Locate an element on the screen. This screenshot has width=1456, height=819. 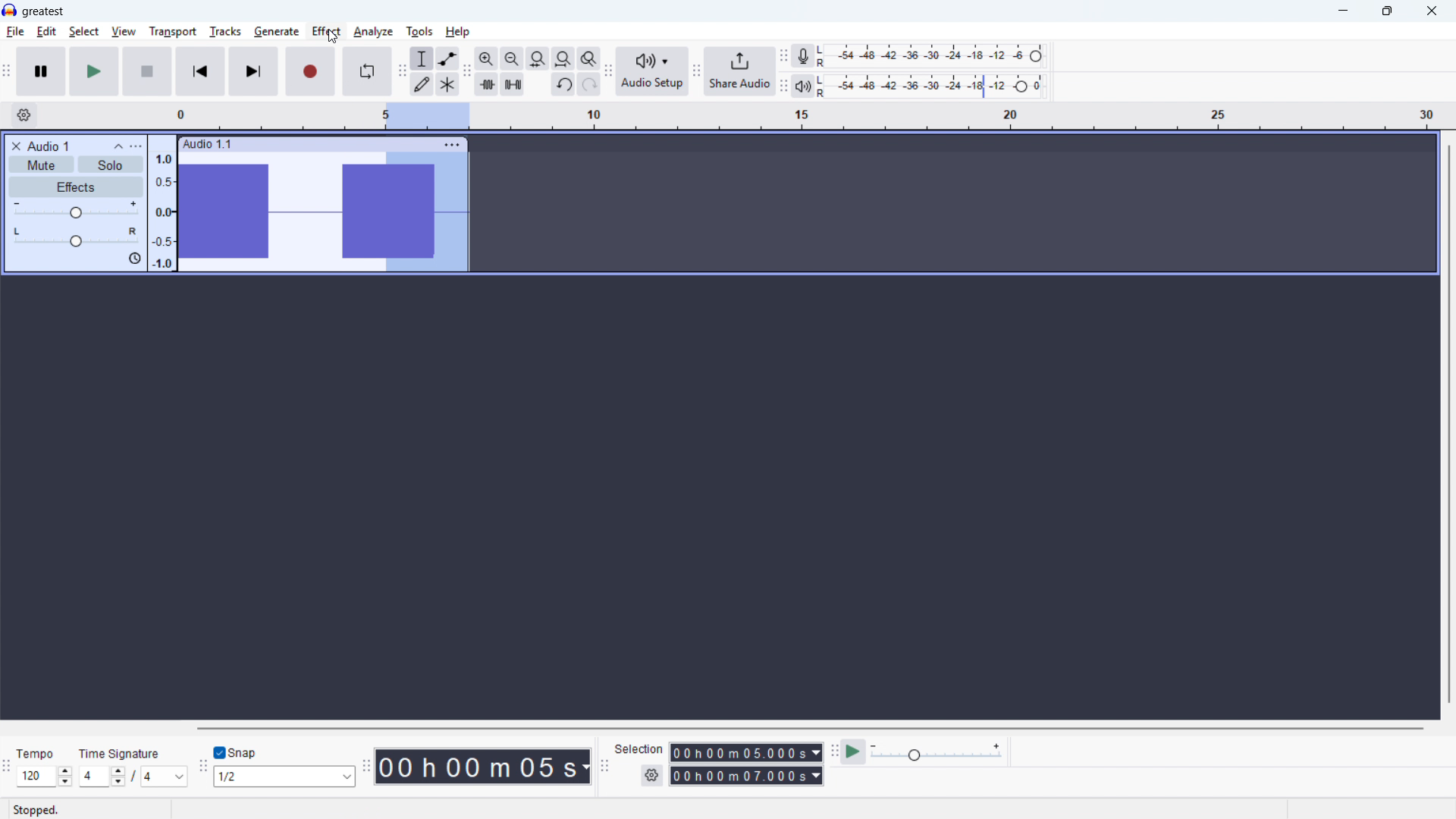
Playback metre  is located at coordinates (802, 86).